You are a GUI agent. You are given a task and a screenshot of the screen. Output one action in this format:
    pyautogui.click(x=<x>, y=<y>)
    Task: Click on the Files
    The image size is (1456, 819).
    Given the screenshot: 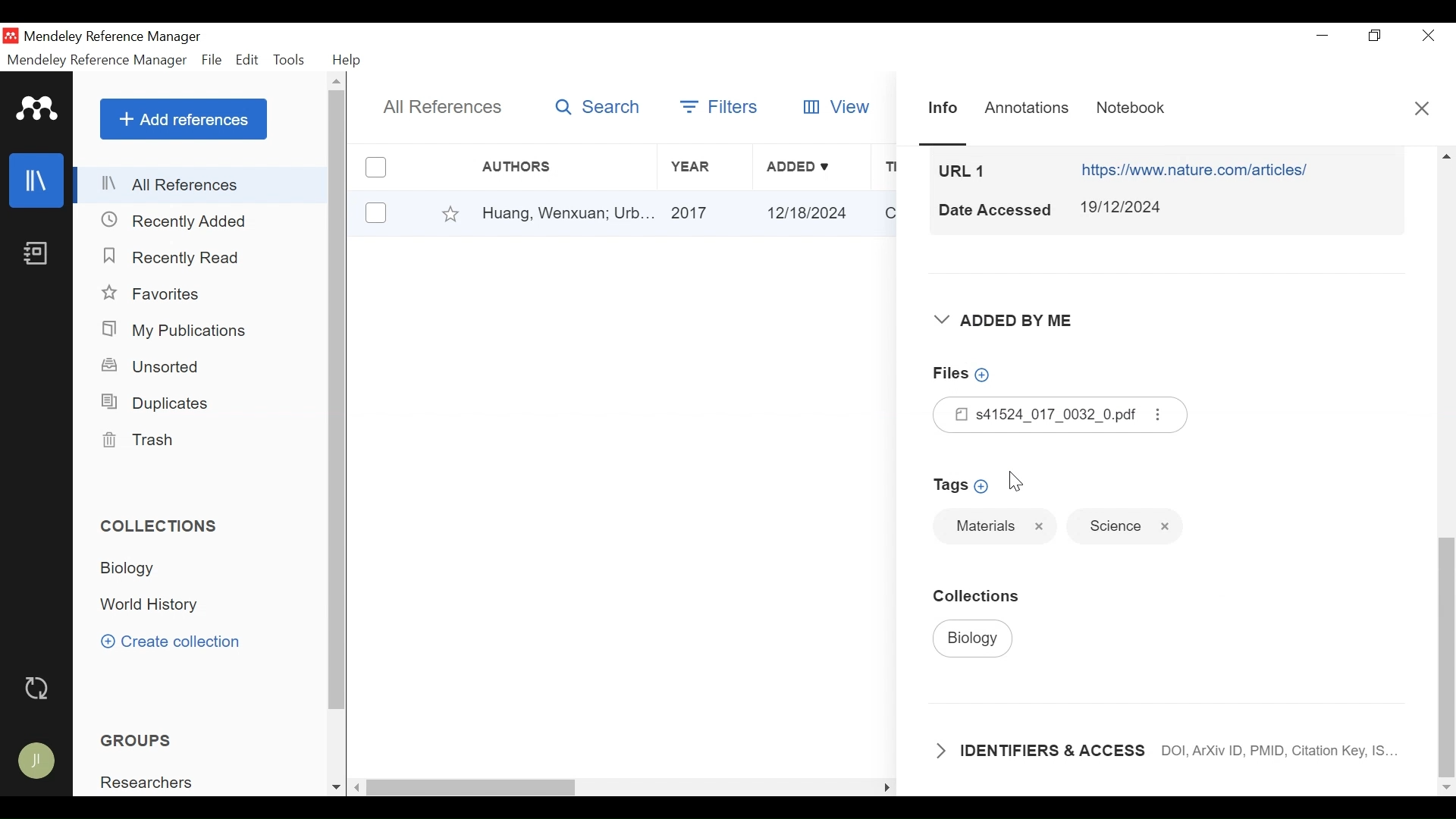 What is the action you would take?
    pyautogui.click(x=972, y=373)
    